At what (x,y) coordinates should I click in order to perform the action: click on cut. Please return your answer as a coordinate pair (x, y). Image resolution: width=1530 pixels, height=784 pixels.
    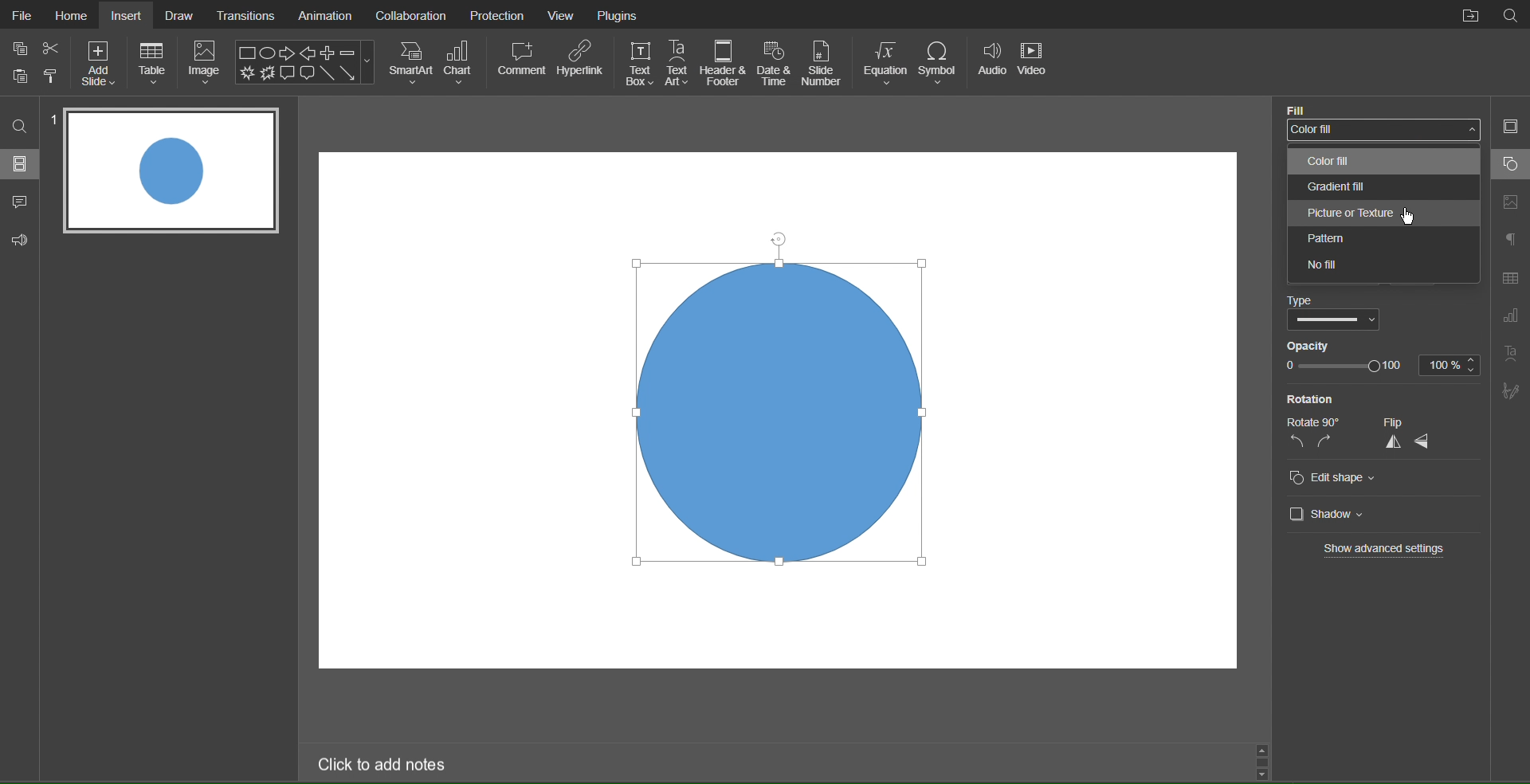
    Looking at the image, I should click on (48, 48).